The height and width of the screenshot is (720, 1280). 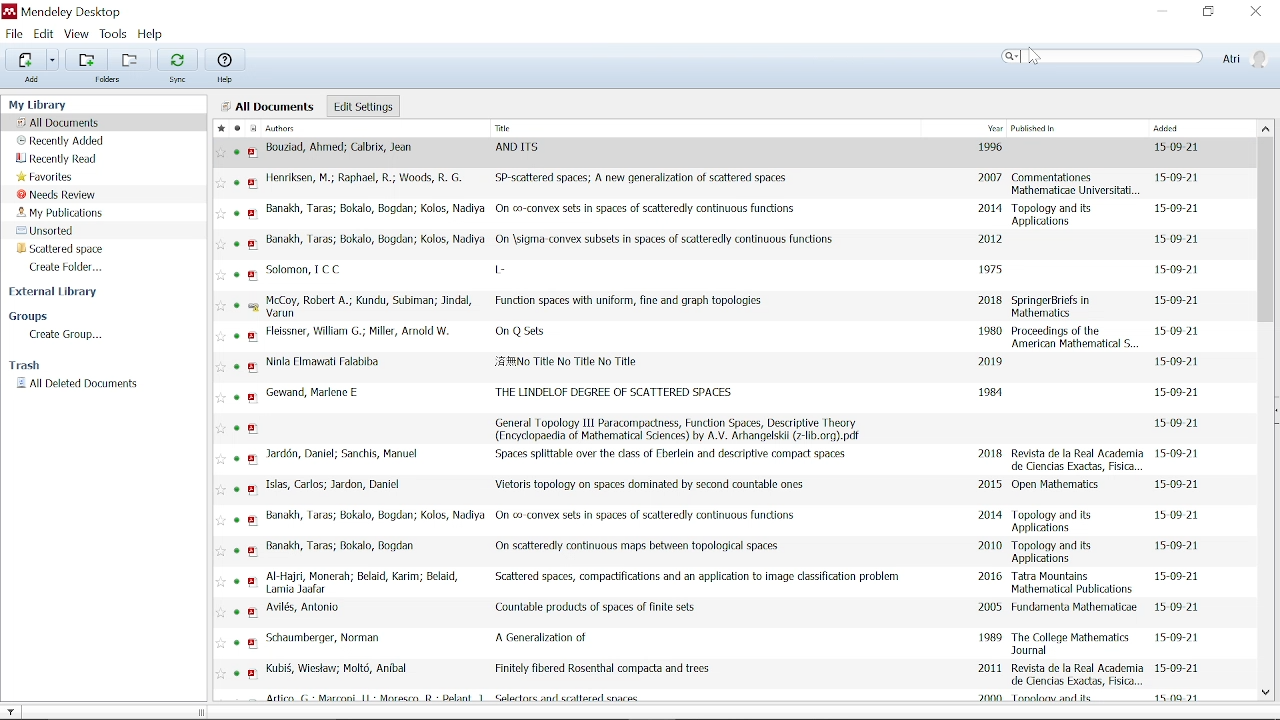 What do you see at coordinates (727, 490) in the screenshot?
I see `Islas, Carlos; Jardon, Daniel Vietoris topology on spaces dominated by second countable ones 2015 Open Mathematics 15-00-21` at bounding box center [727, 490].